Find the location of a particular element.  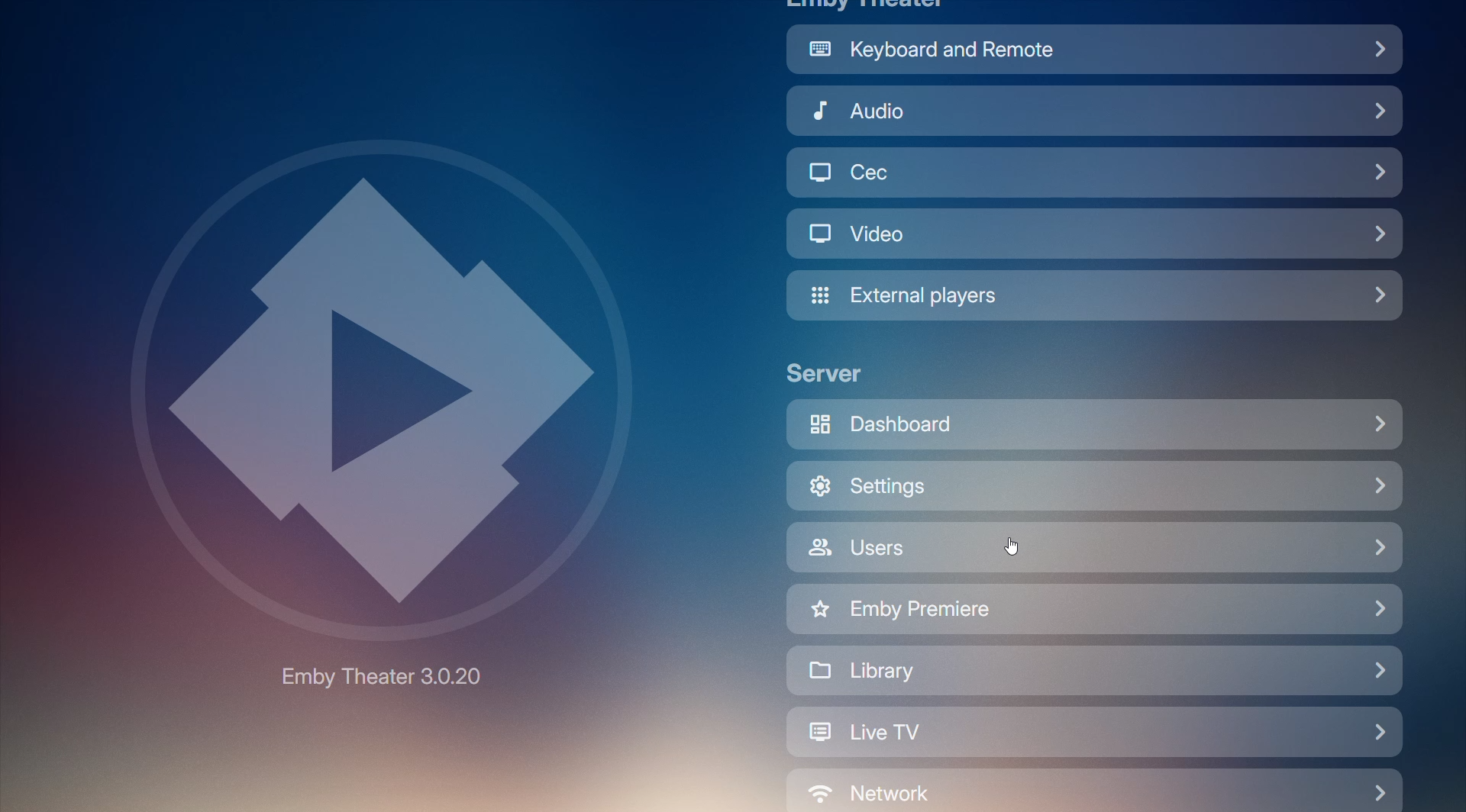

Network is located at coordinates (1097, 788).